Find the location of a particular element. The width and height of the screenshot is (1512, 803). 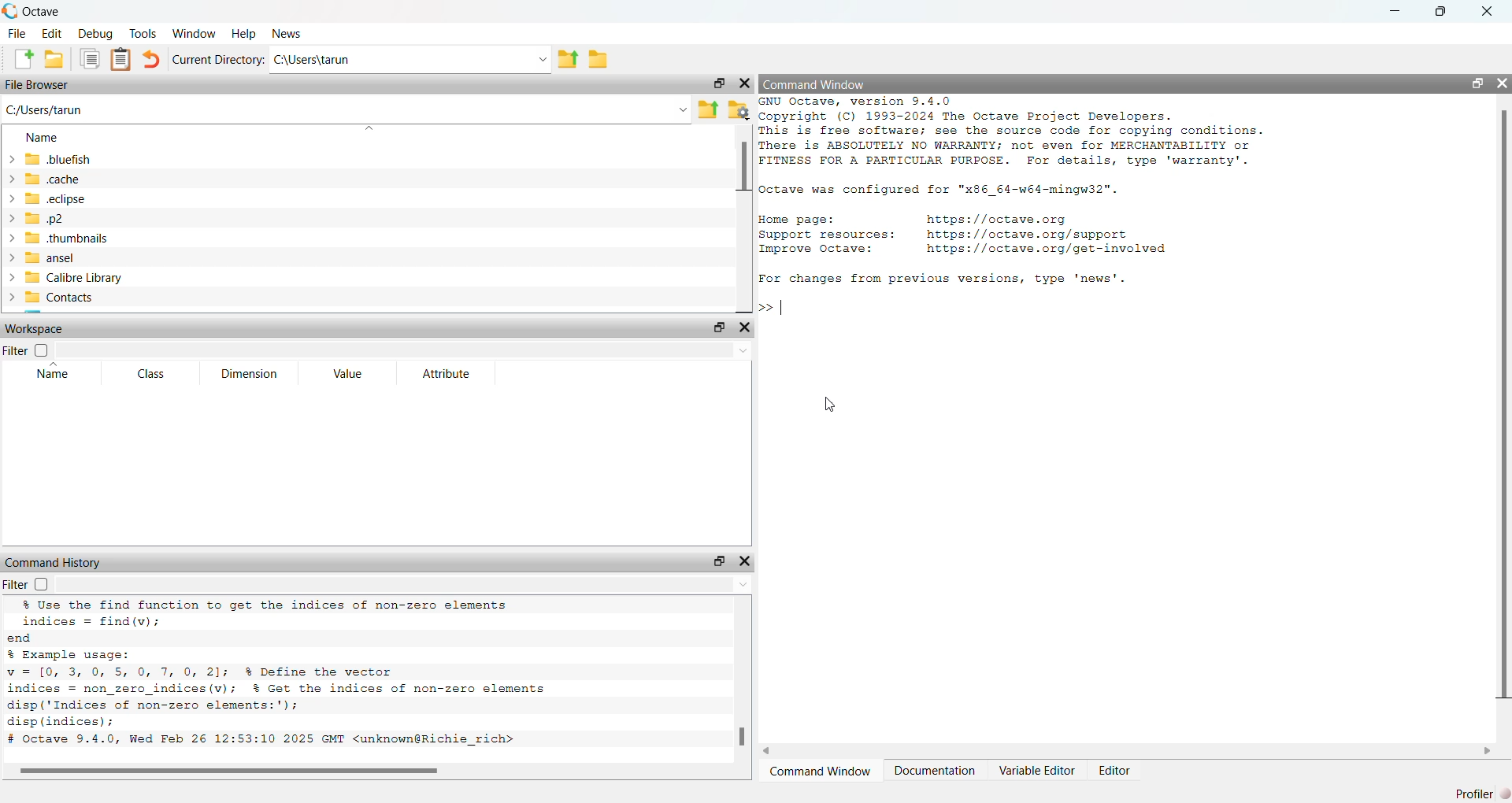

Workspace is located at coordinates (35, 327).